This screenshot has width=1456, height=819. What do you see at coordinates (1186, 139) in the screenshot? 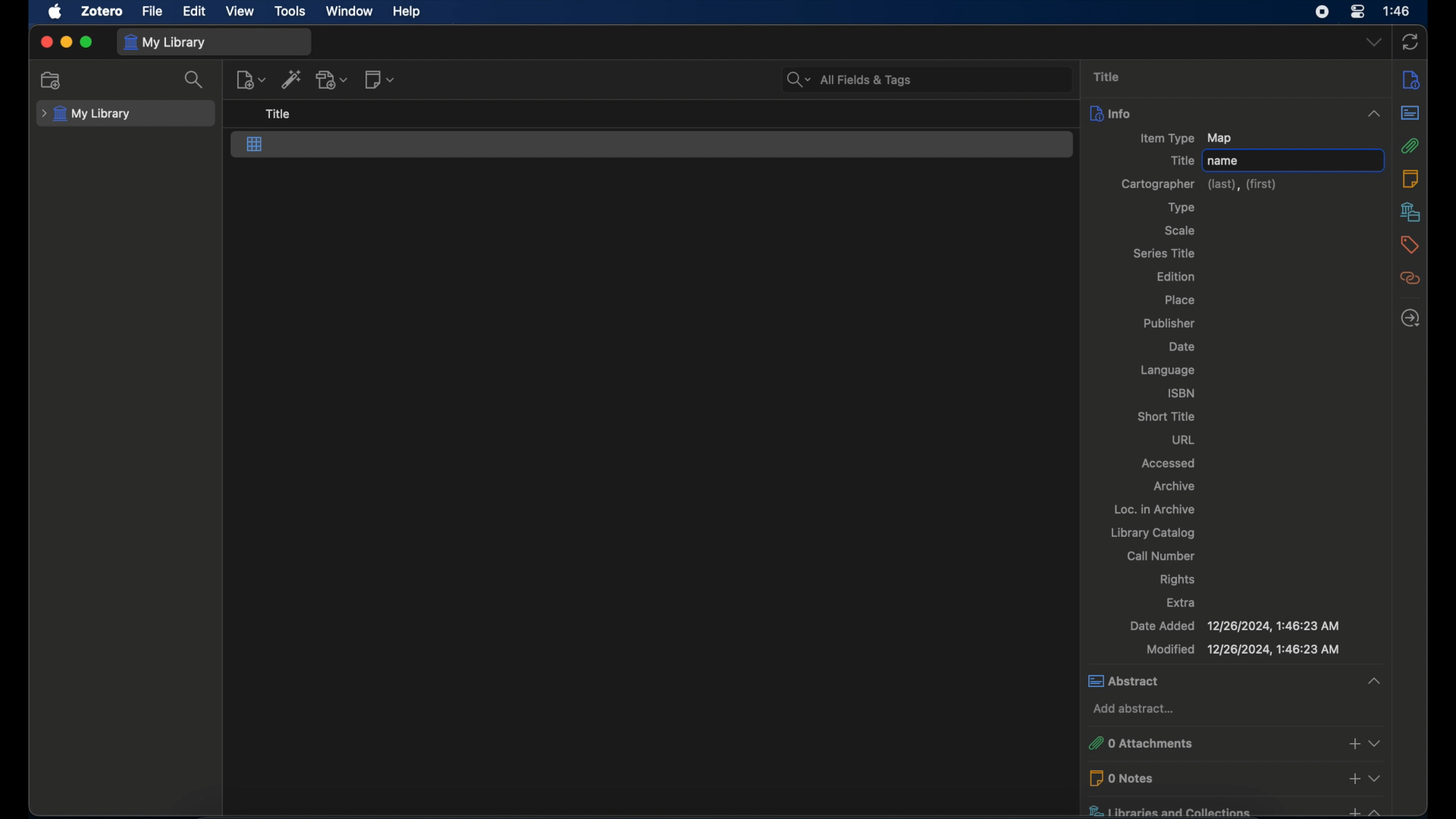
I see `item type map` at bounding box center [1186, 139].